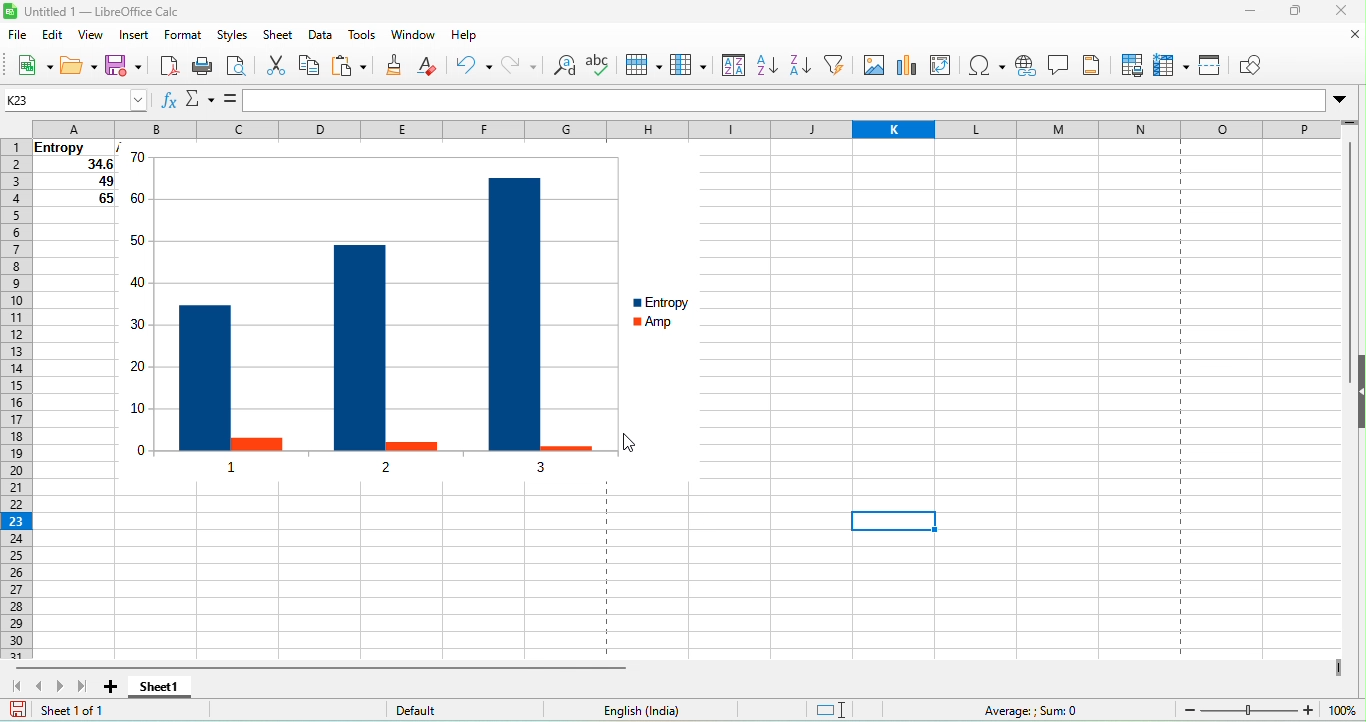  What do you see at coordinates (1211, 69) in the screenshot?
I see `split window` at bounding box center [1211, 69].